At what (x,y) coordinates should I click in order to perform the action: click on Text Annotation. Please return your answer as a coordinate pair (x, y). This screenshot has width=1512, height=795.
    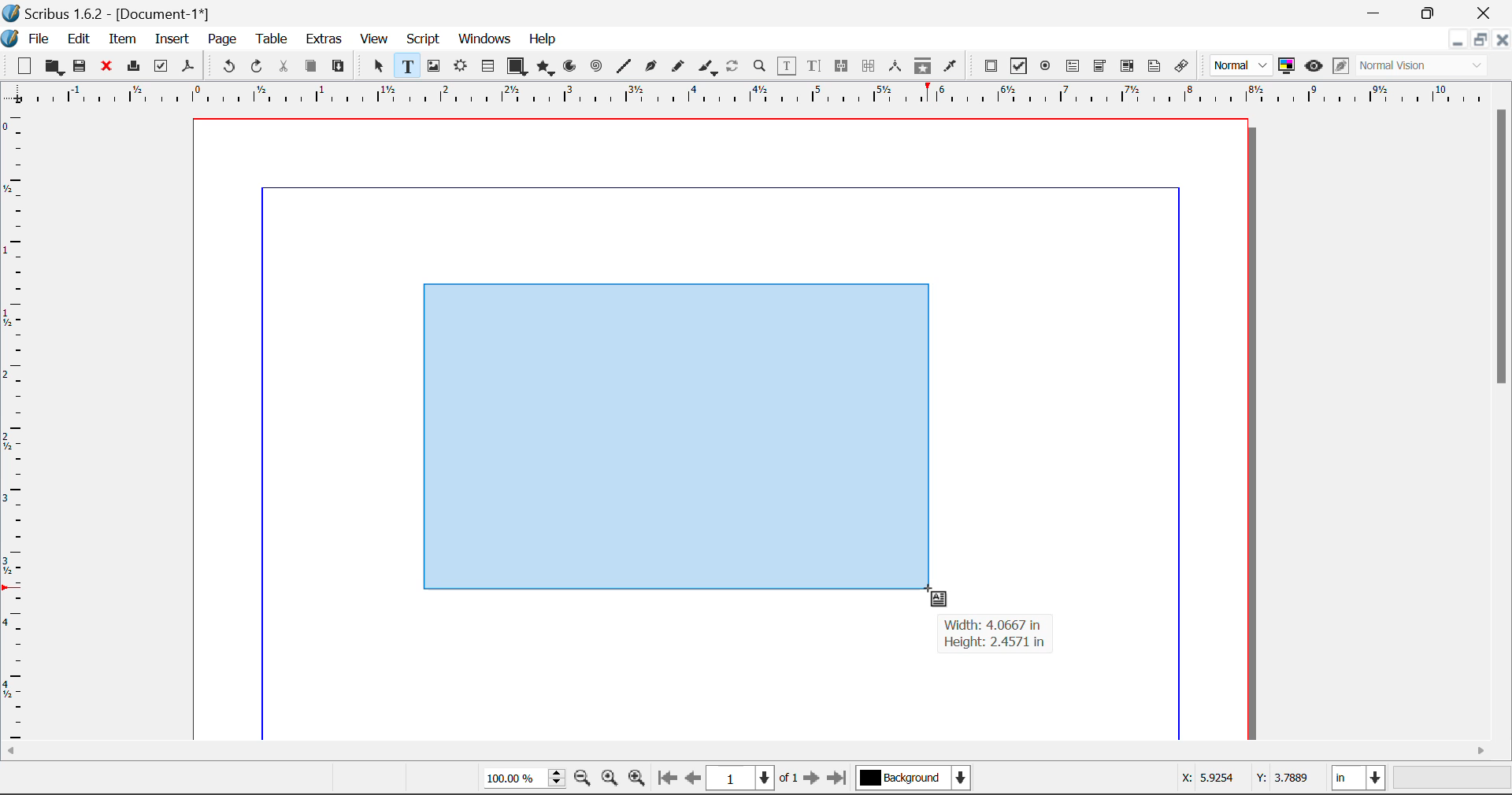
    Looking at the image, I should click on (1154, 66).